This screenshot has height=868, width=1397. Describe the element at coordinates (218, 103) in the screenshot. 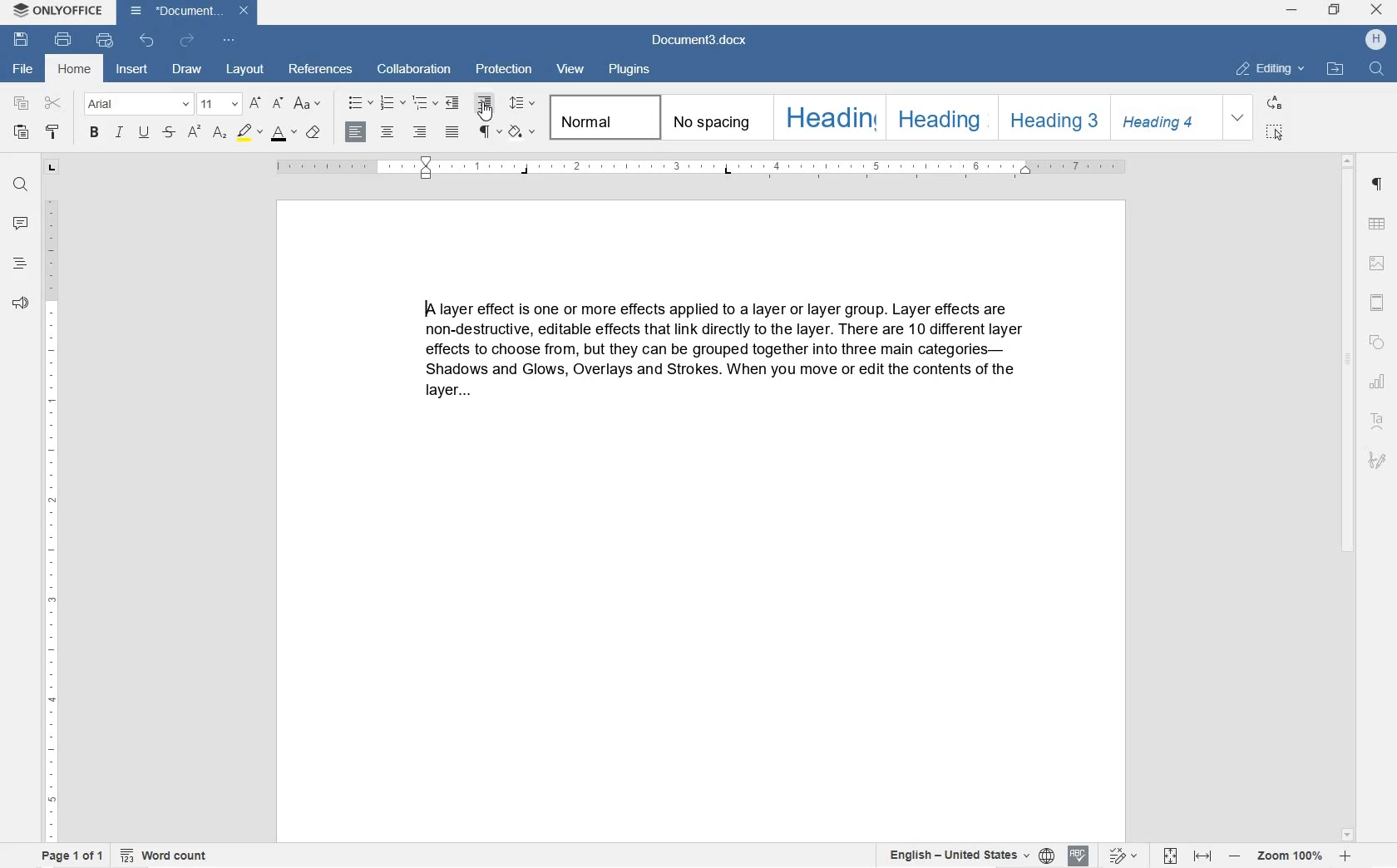

I see `FONT SIZE` at that location.